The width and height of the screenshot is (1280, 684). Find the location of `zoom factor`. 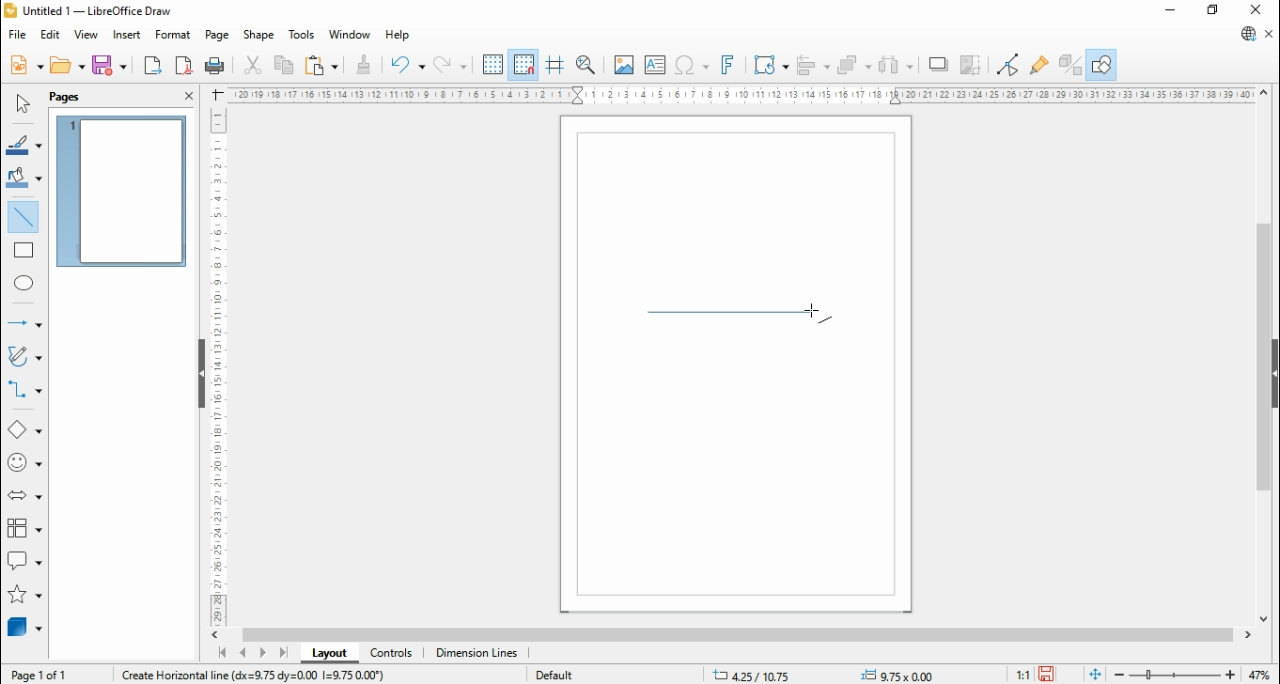

zoom factor is located at coordinates (1262, 674).